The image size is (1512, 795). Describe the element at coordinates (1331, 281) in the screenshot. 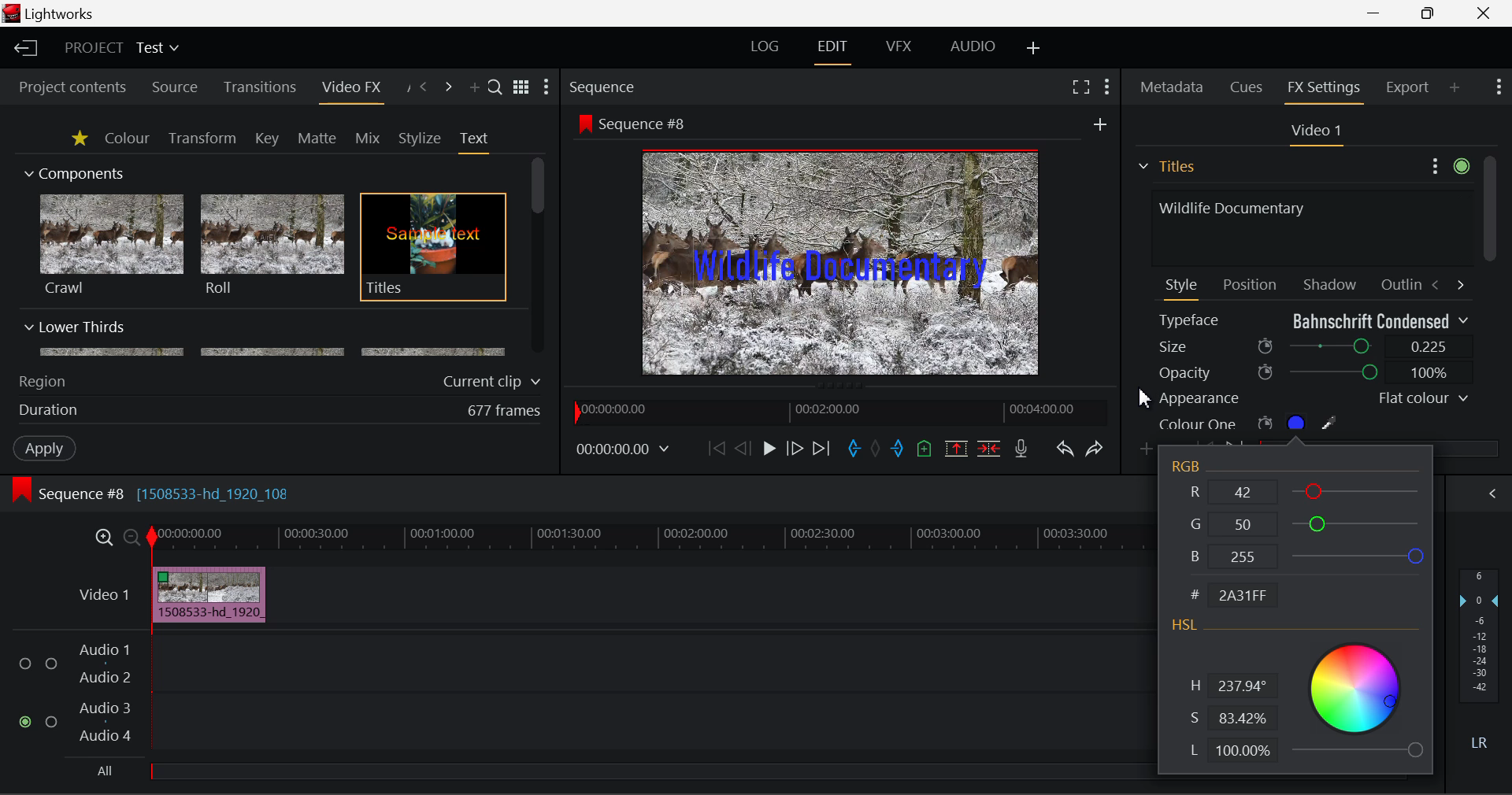

I see `Shadow` at that location.